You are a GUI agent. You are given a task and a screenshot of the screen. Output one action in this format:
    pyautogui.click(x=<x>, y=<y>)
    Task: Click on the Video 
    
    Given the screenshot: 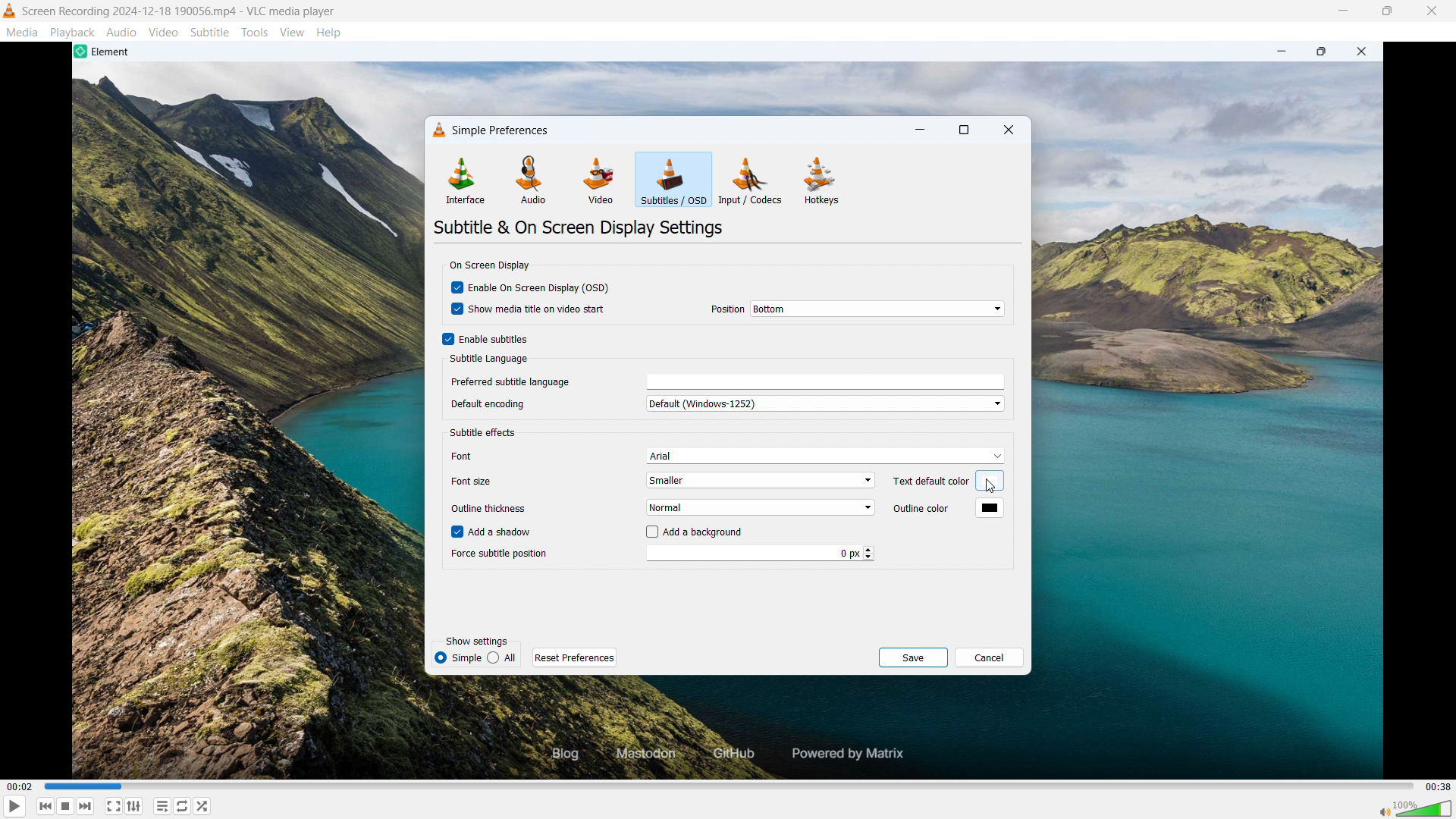 What is the action you would take?
    pyautogui.click(x=163, y=33)
    